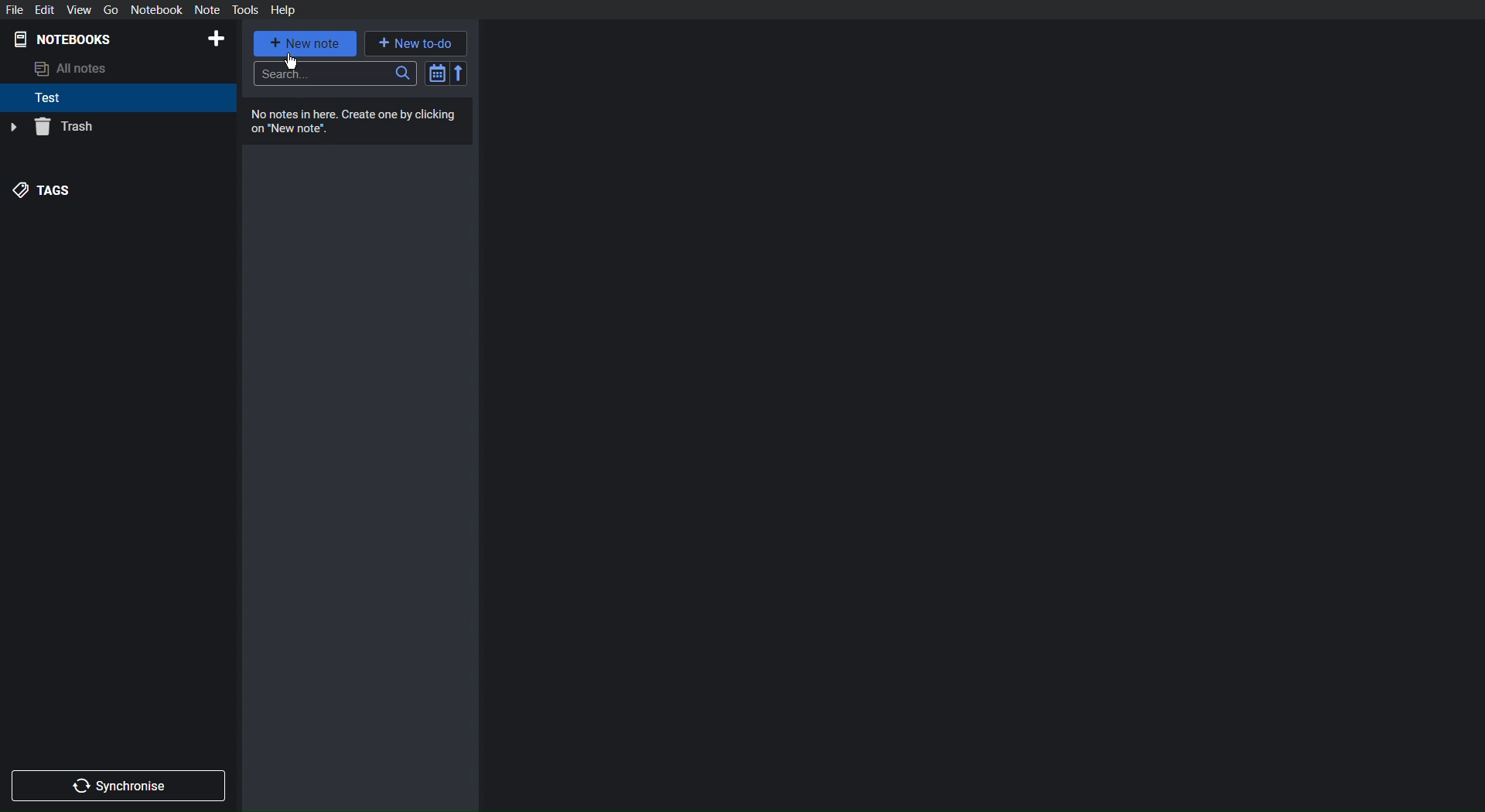  What do you see at coordinates (207, 10) in the screenshot?
I see `Note` at bounding box center [207, 10].